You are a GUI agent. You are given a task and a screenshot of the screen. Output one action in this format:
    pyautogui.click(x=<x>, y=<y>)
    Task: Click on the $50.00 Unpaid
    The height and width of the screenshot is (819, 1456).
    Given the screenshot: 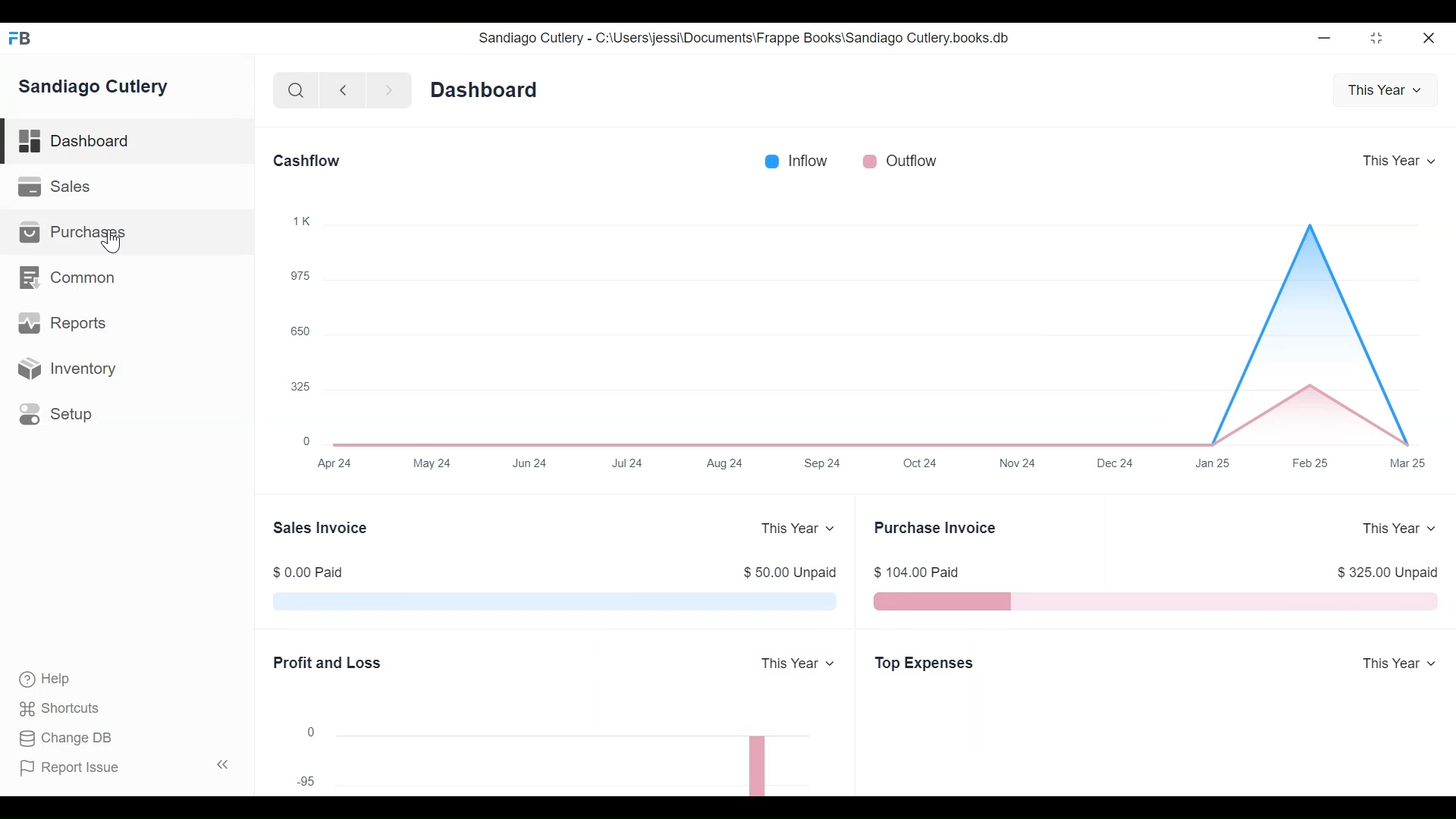 What is the action you would take?
    pyautogui.click(x=789, y=569)
    